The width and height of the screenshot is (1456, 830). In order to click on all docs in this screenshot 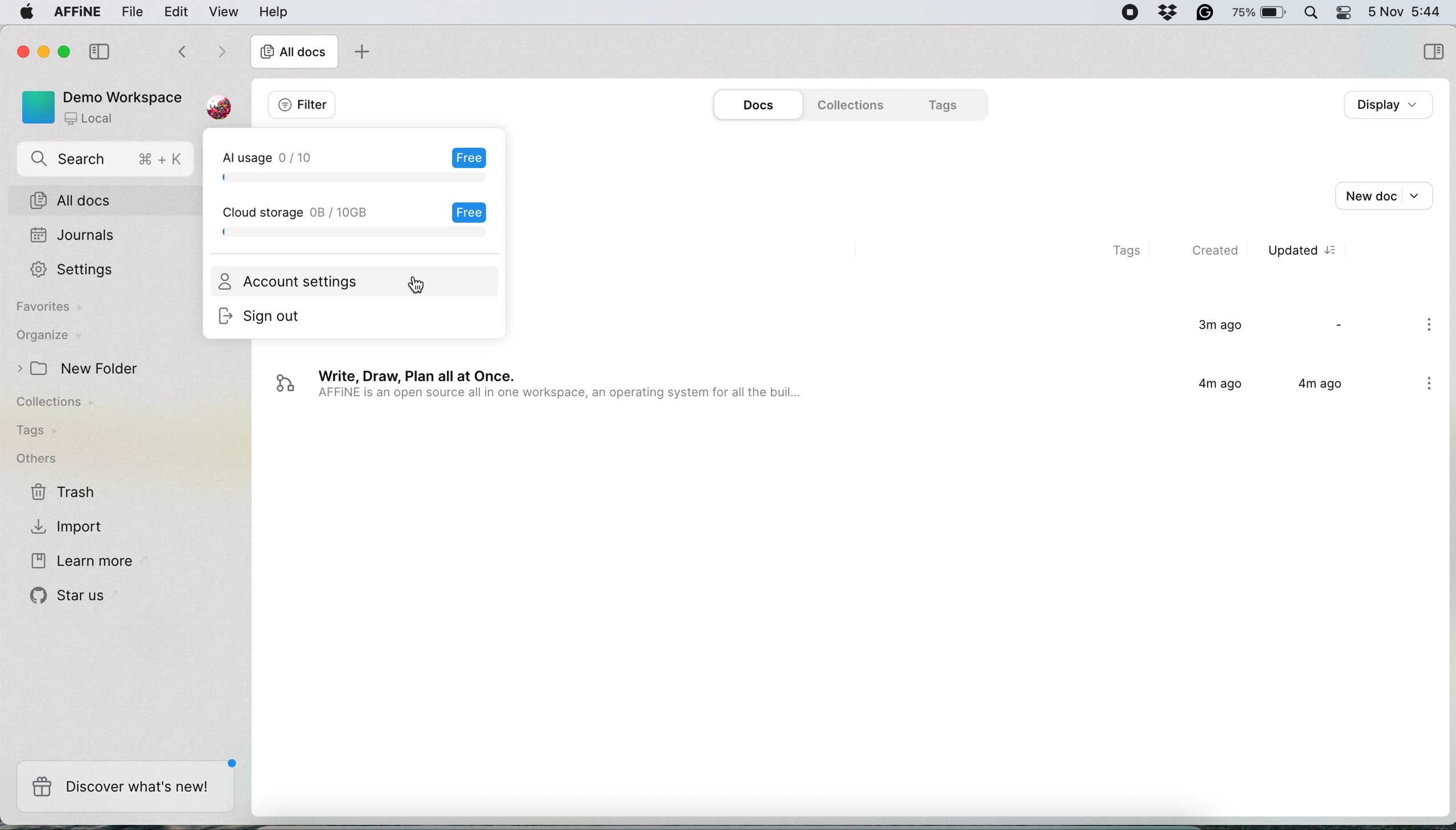, I will do `click(112, 201)`.